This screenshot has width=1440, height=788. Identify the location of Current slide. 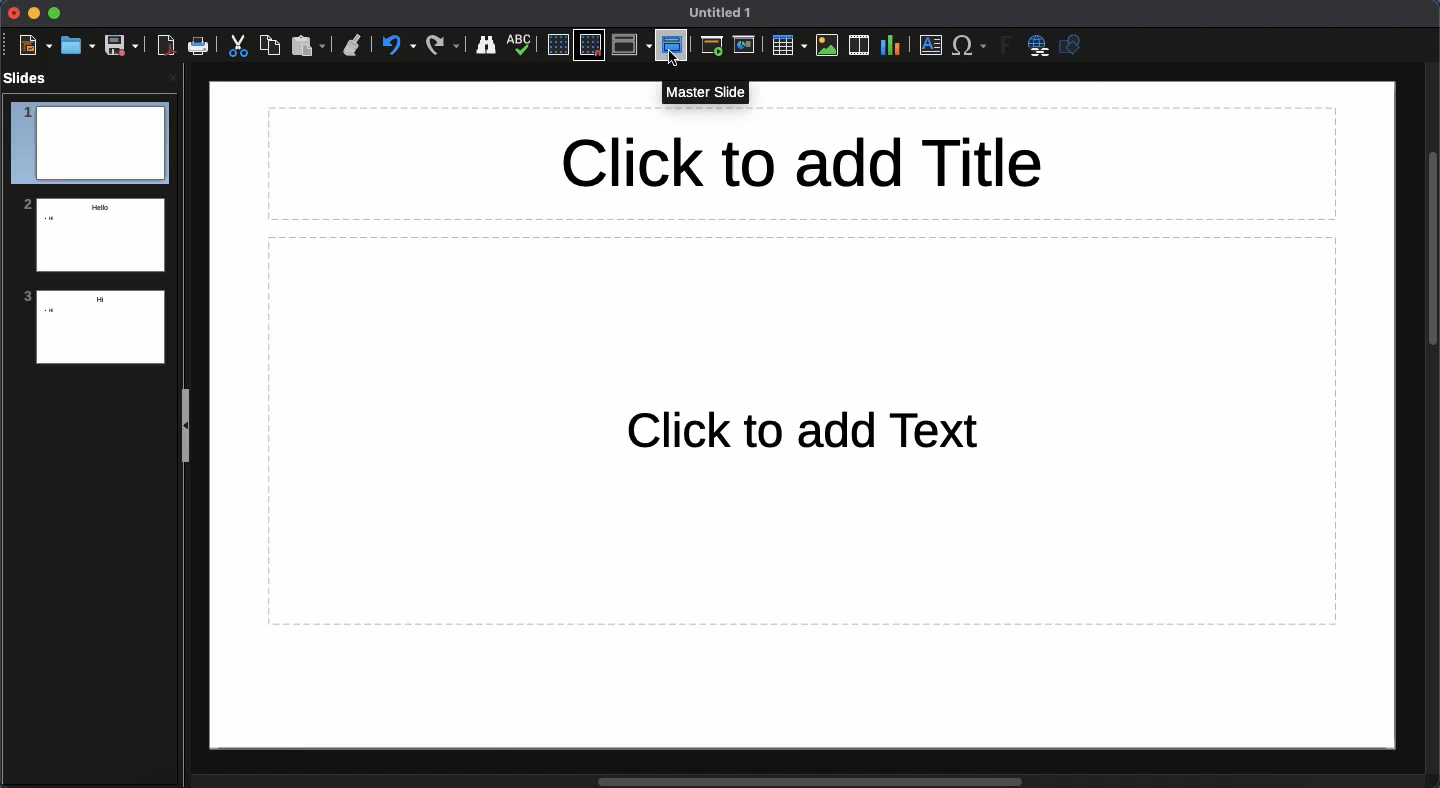
(746, 48).